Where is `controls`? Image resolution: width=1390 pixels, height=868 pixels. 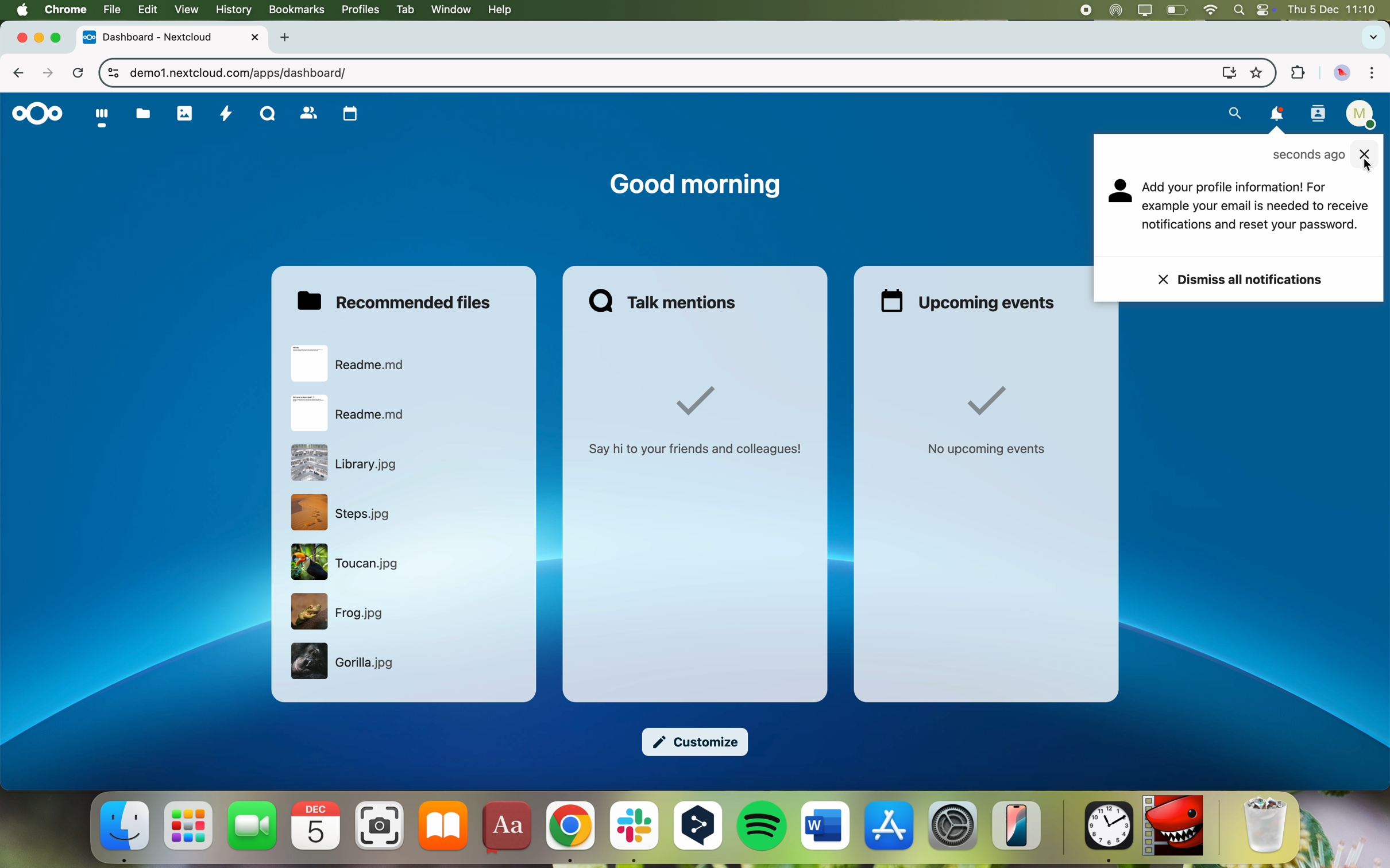
controls is located at coordinates (109, 74).